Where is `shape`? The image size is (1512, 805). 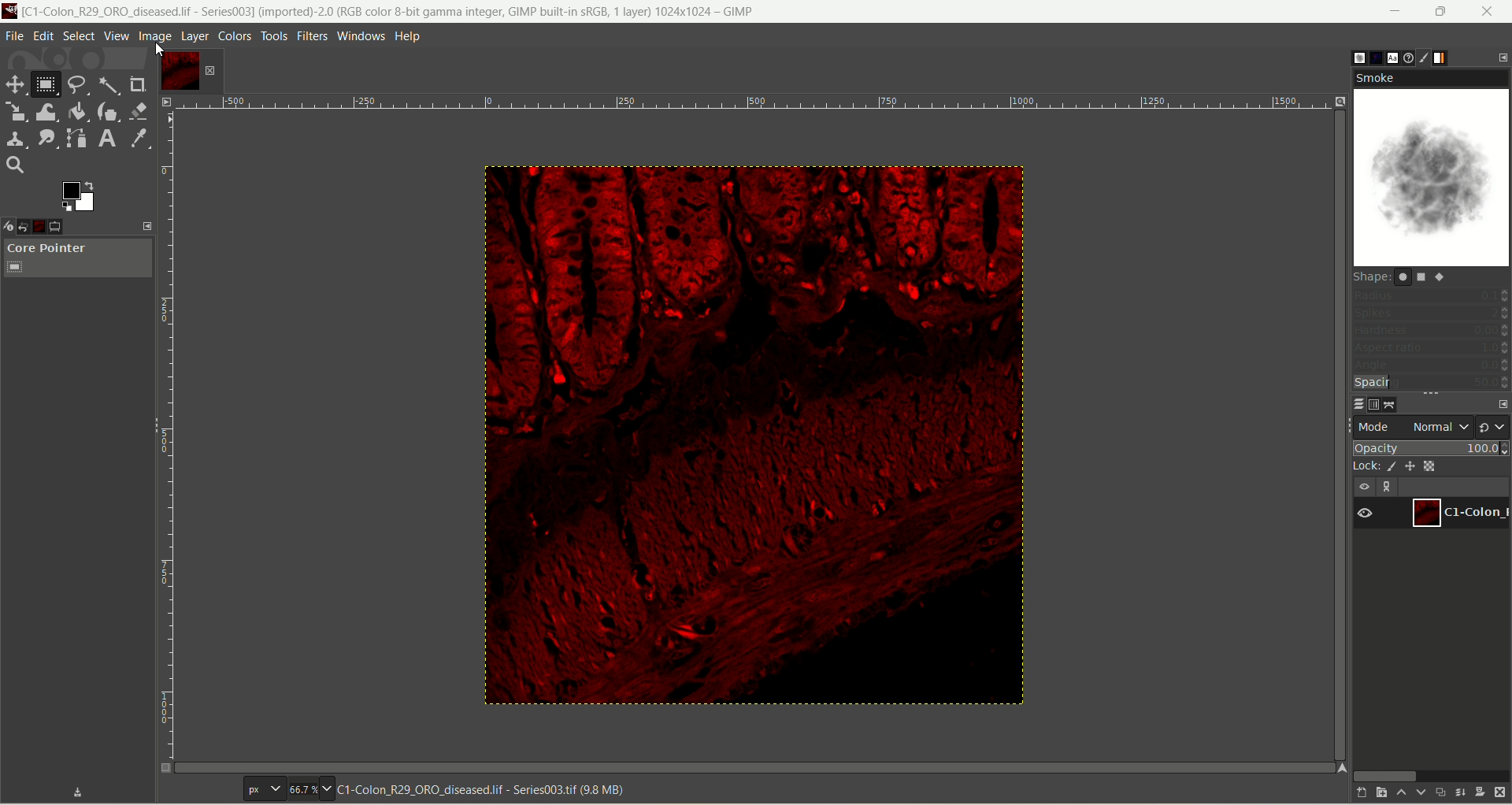 shape is located at coordinates (1403, 276).